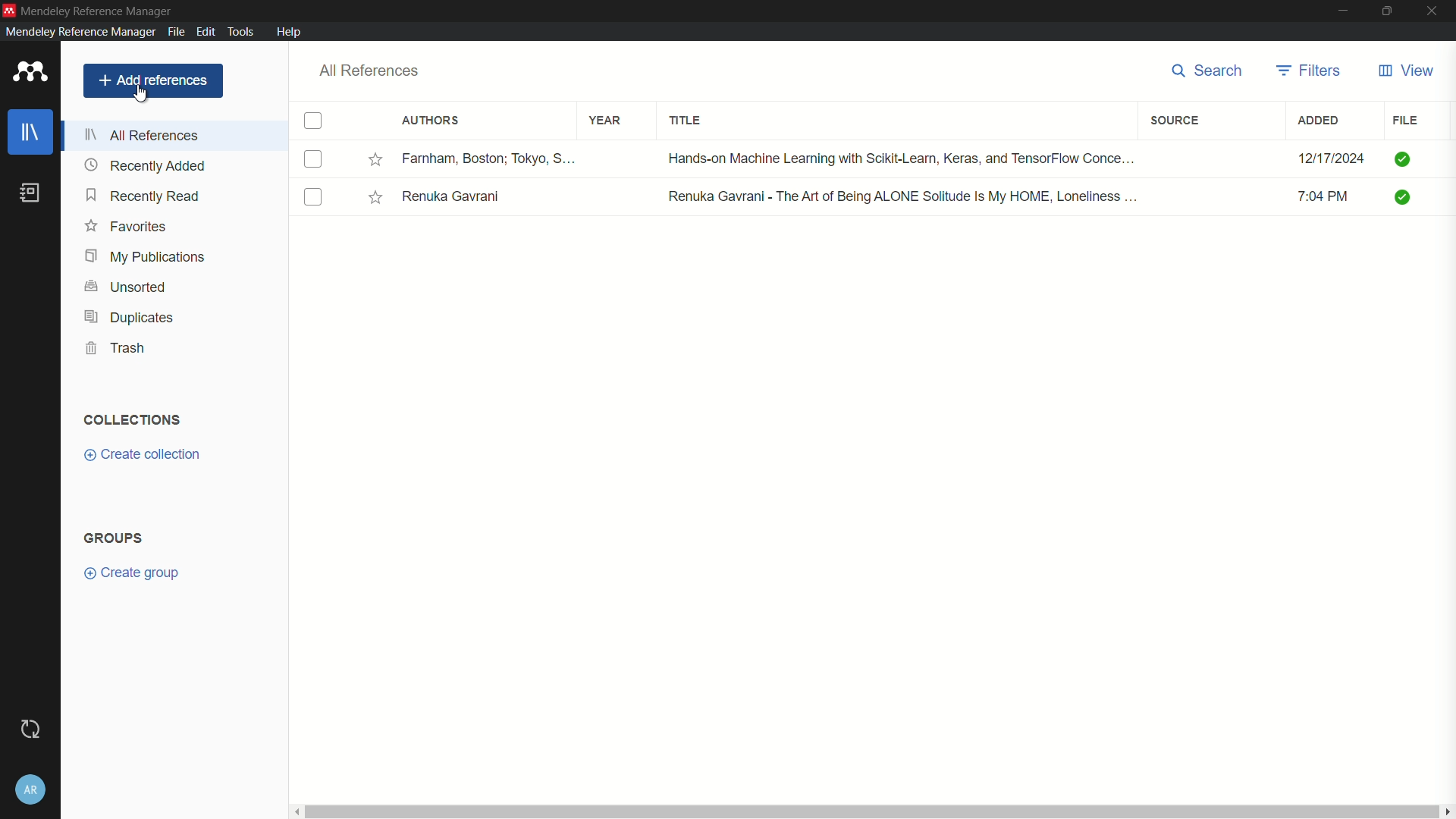 The height and width of the screenshot is (819, 1456). I want to click on profile, so click(30, 789).